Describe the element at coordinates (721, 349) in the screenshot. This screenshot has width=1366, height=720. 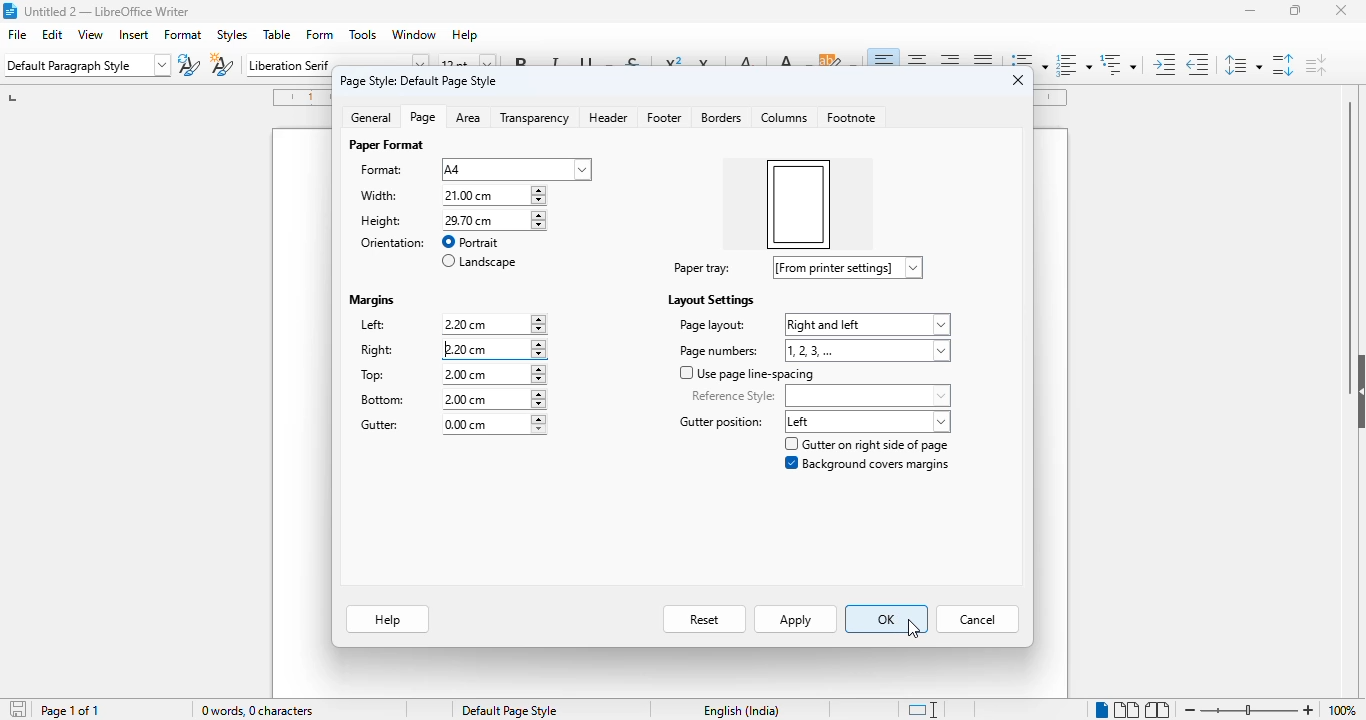
I see `page numbers` at that location.